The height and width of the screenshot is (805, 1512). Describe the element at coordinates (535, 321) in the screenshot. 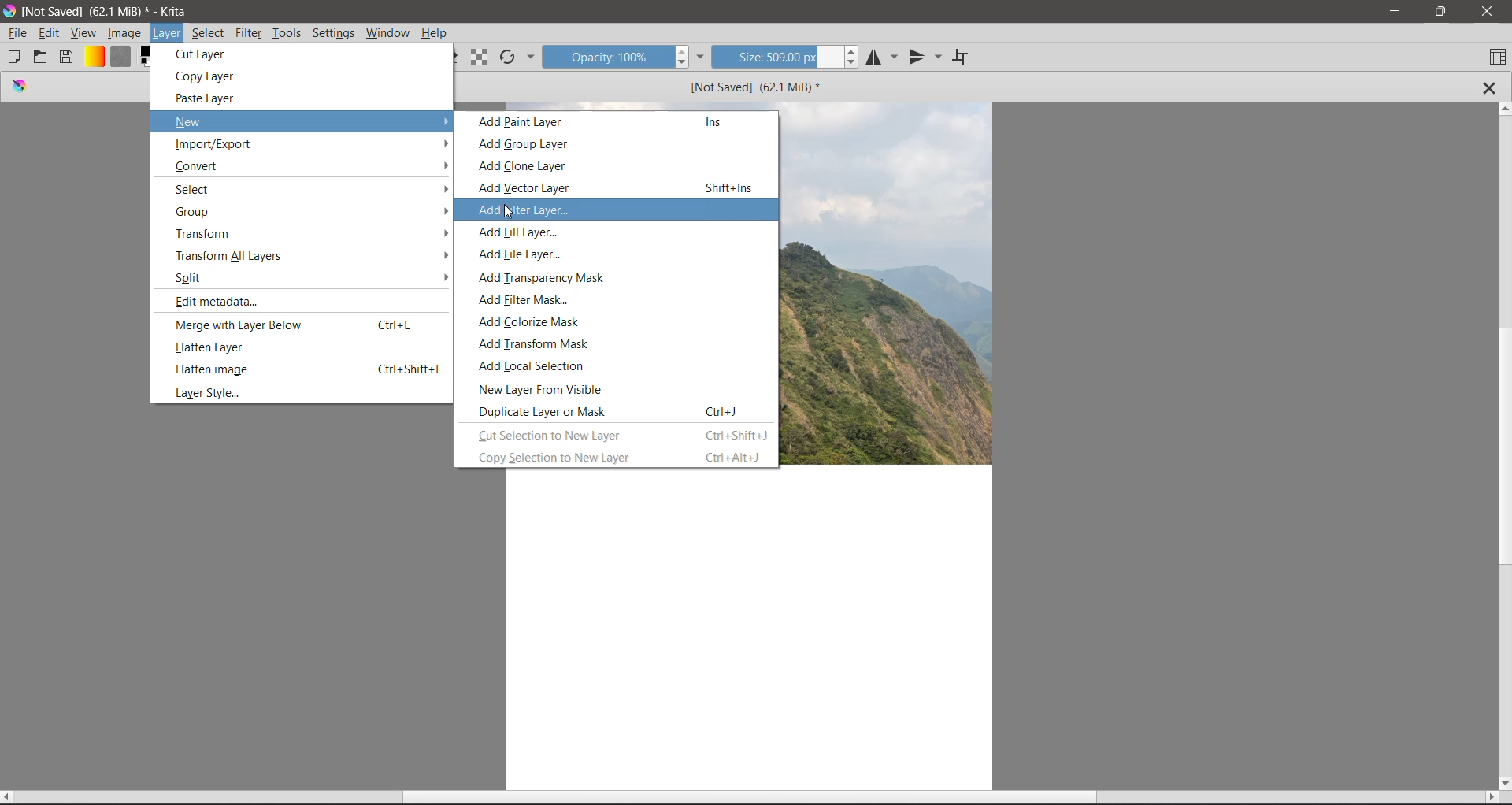

I see `Add Colonize Mask` at that location.